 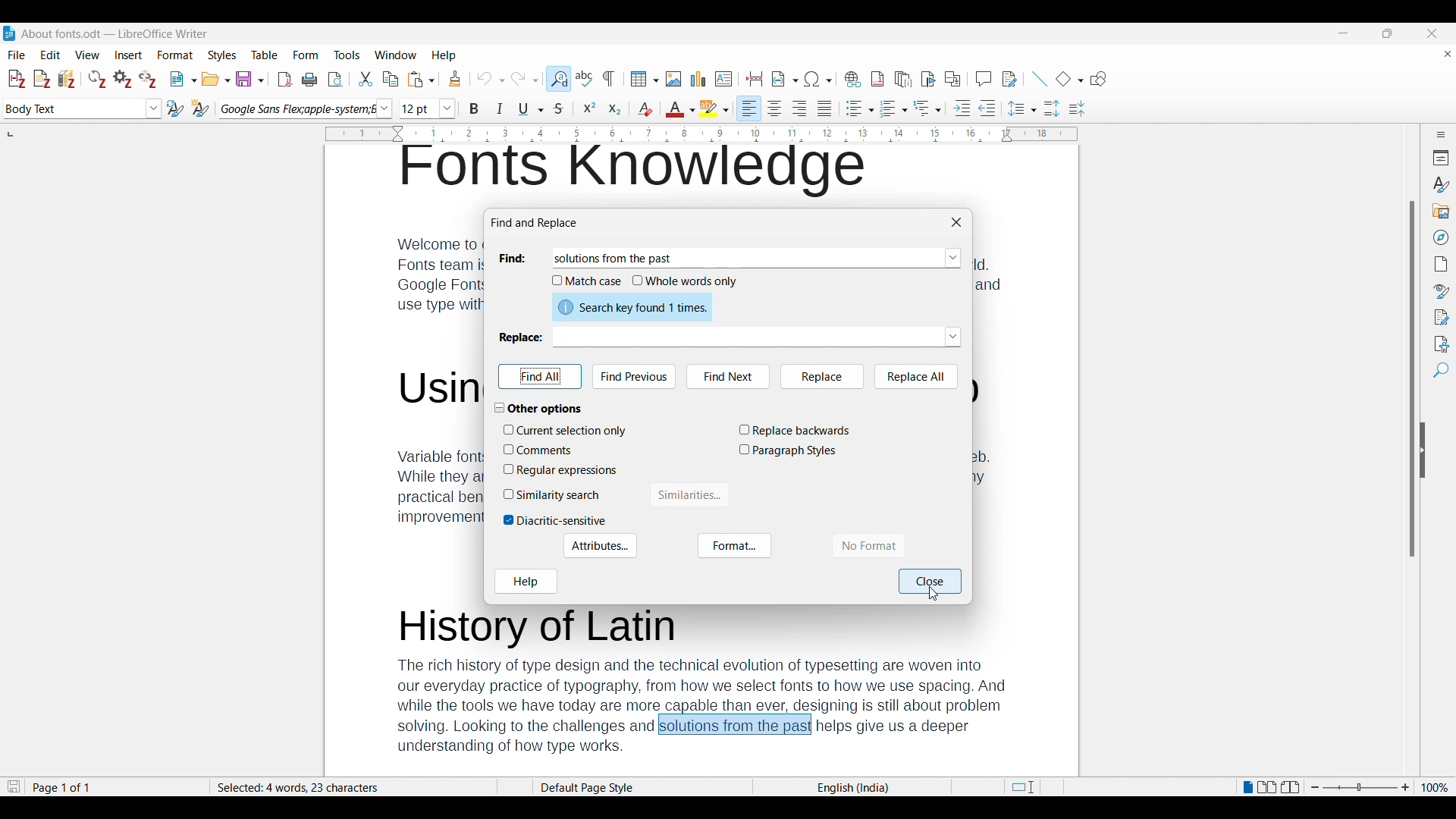 What do you see at coordinates (962, 108) in the screenshot?
I see `Increase indent` at bounding box center [962, 108].